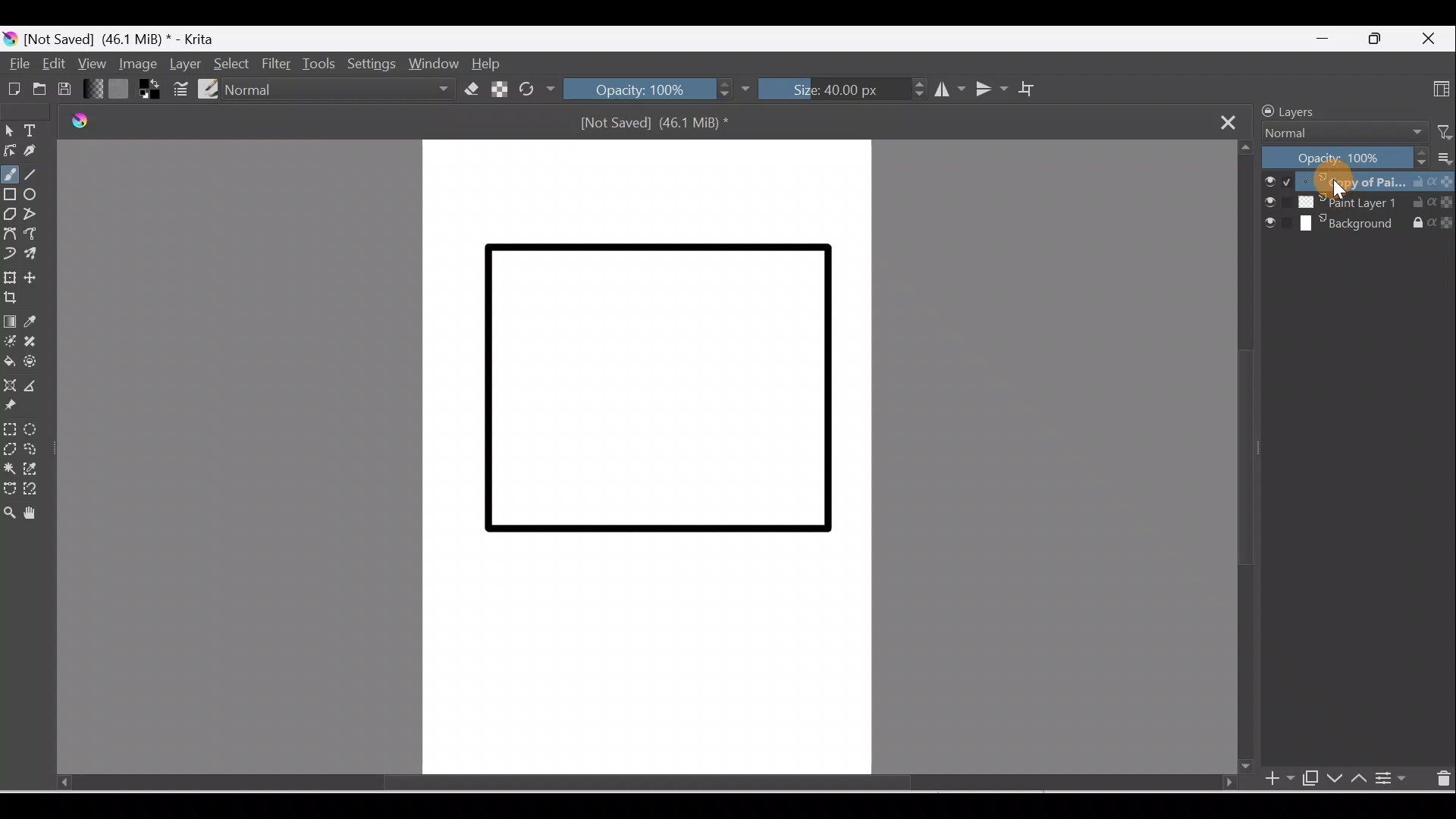 The width and height of the screenshot is (1456, 819). What do you see at coordinates (11, 384) in the screenshot?
I see `Assistant tool` at bounding box center [11, 384].